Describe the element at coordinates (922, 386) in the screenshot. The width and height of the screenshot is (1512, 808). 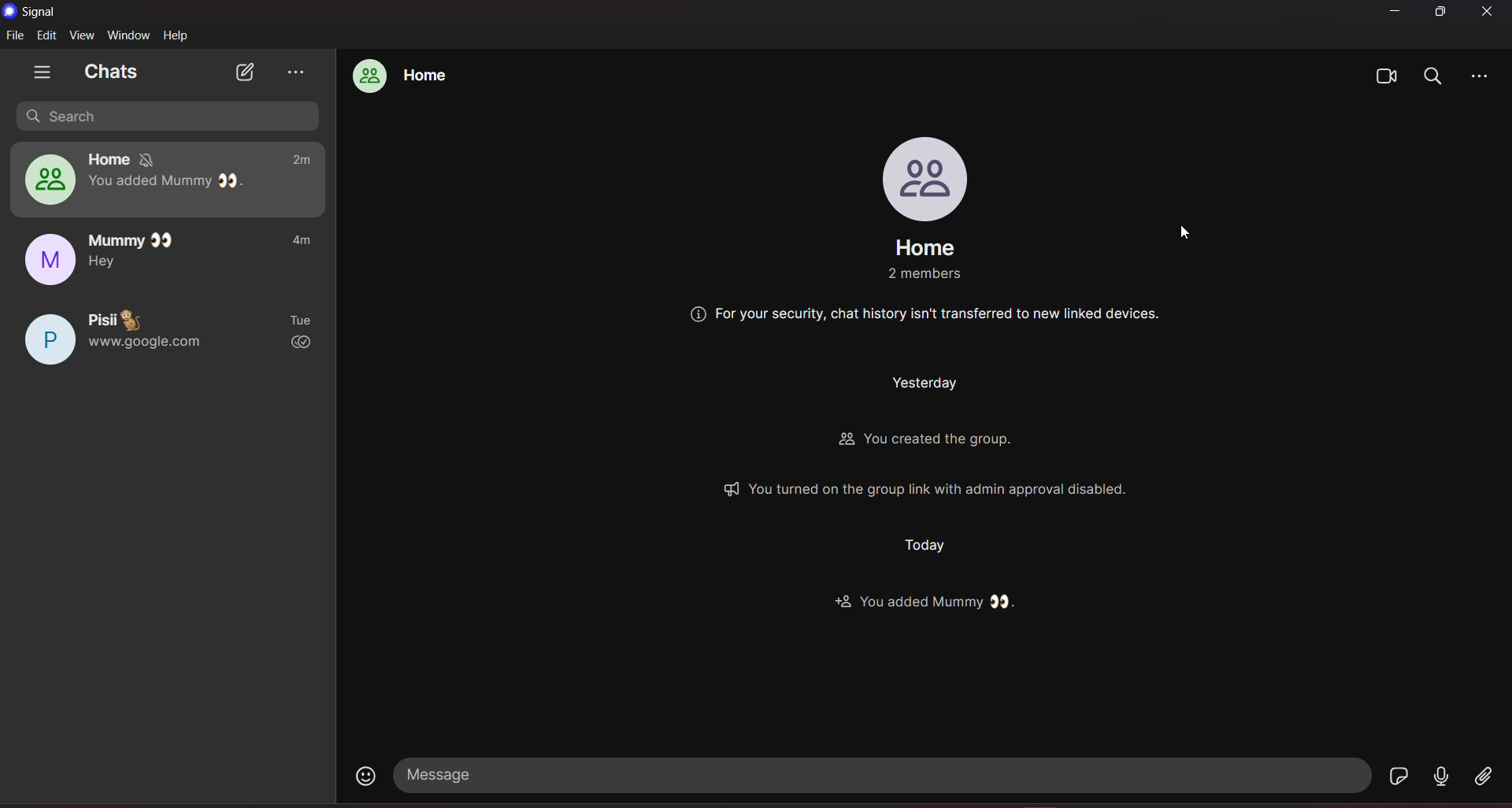
I see `` at that location.